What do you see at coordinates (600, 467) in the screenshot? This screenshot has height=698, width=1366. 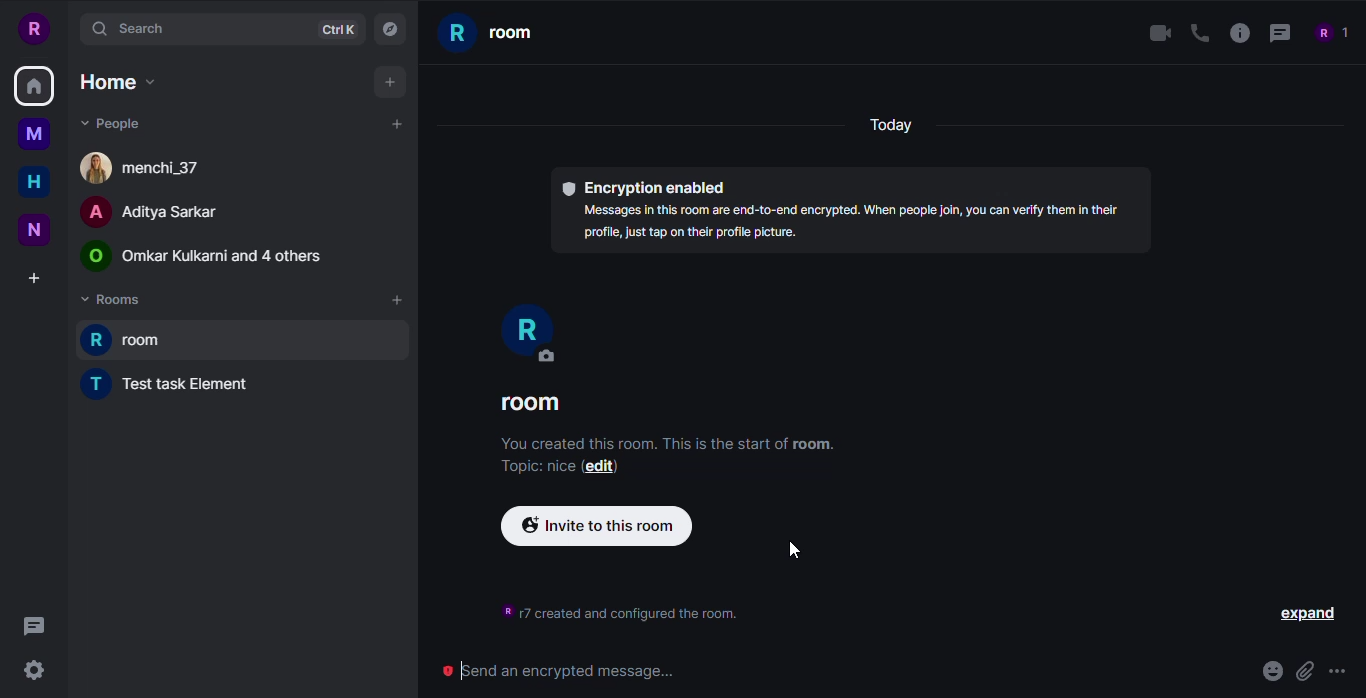 I see `edit` at bounding box center [600, 467].